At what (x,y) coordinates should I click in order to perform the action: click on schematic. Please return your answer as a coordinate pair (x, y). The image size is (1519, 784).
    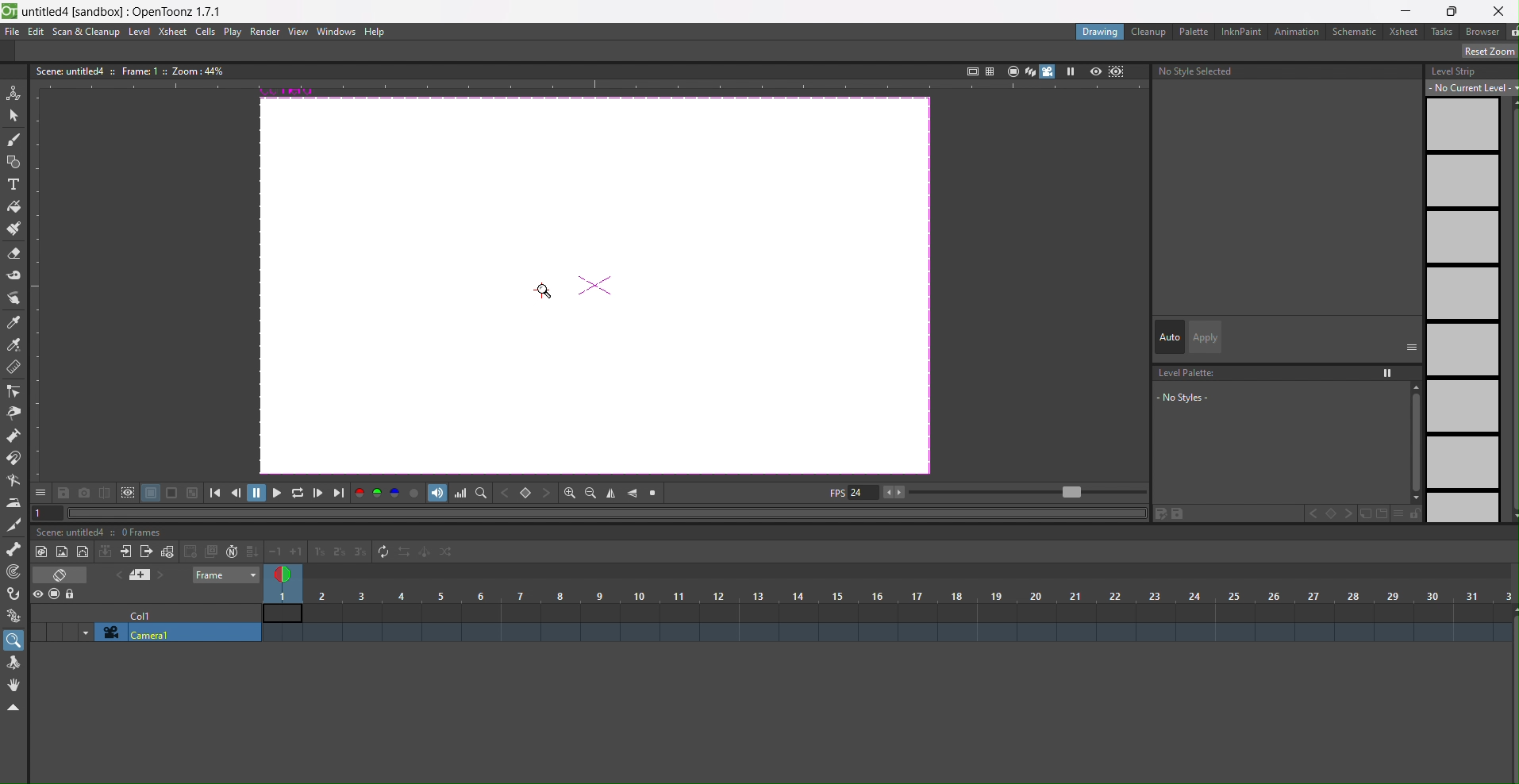
    Looking at the image, I should click on (1356, 31).